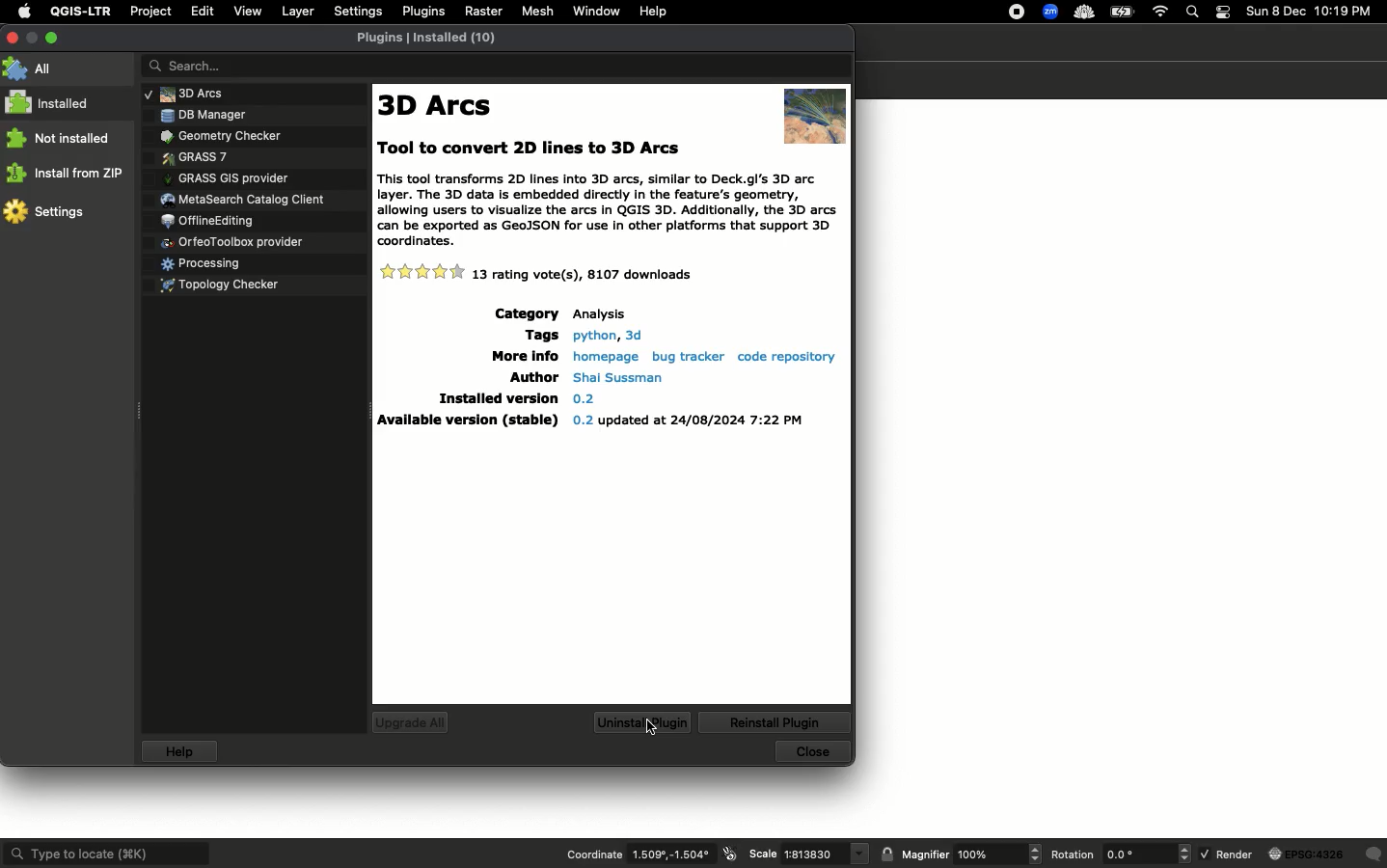 The height and width of the screenshot is (868, 1387). I want to click on Plugins, so click(245, 196).